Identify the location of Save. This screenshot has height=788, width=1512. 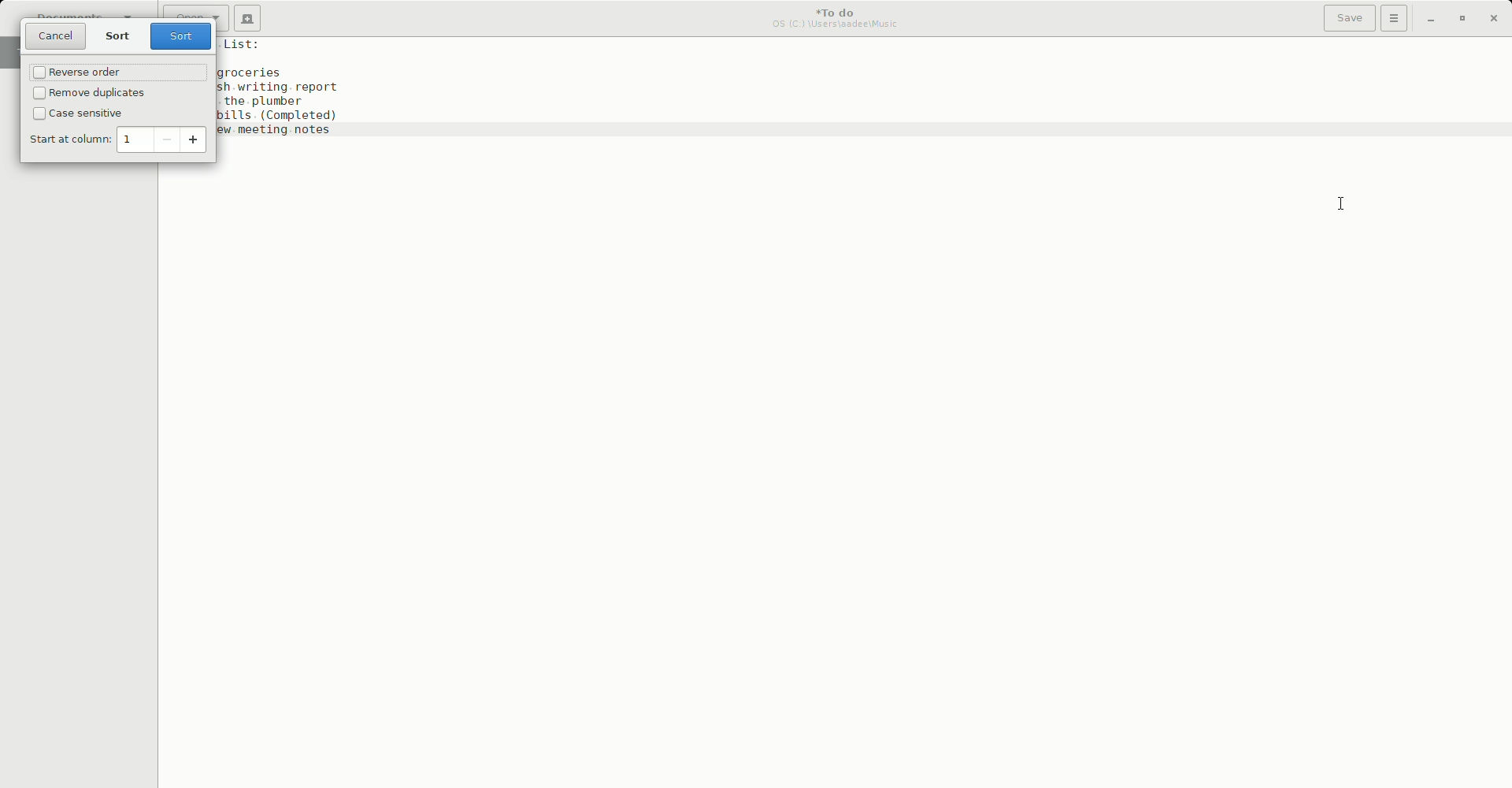
(1351, 19).